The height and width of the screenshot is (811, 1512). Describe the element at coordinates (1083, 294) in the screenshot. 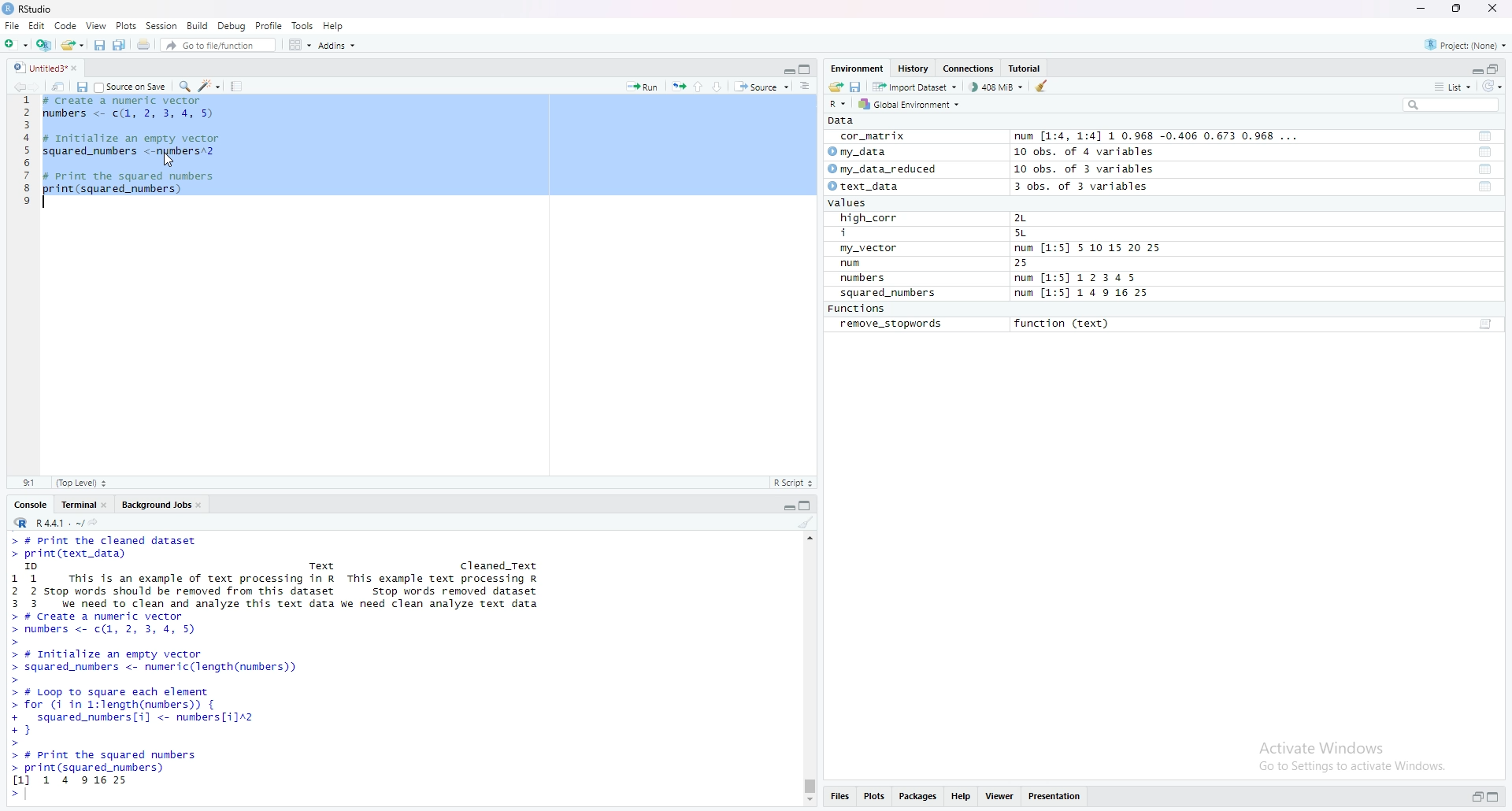

I see `num [1:5] 1 4 9 16 25` at that location.